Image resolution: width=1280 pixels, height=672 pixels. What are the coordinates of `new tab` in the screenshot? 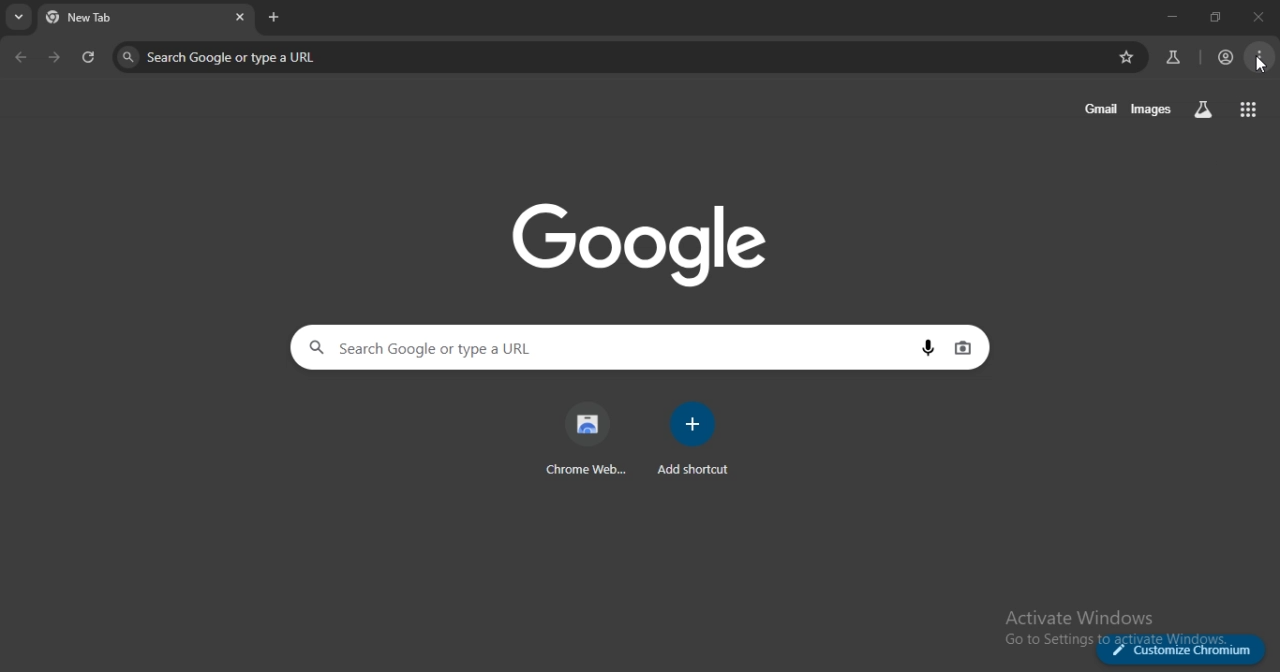 It's located at (273, 17).